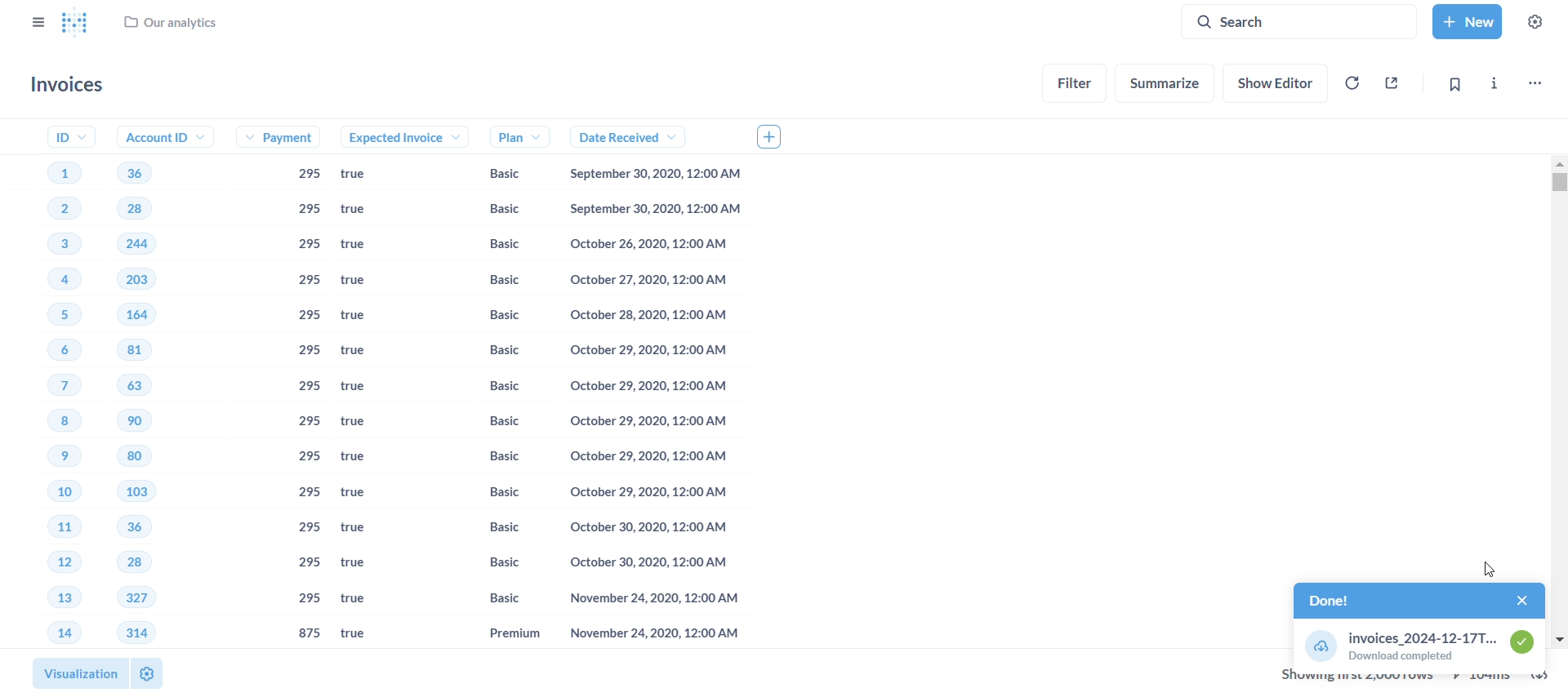 The height and width of the screenshot is (697, 1568). I want to click on 6, so click(47, 352).